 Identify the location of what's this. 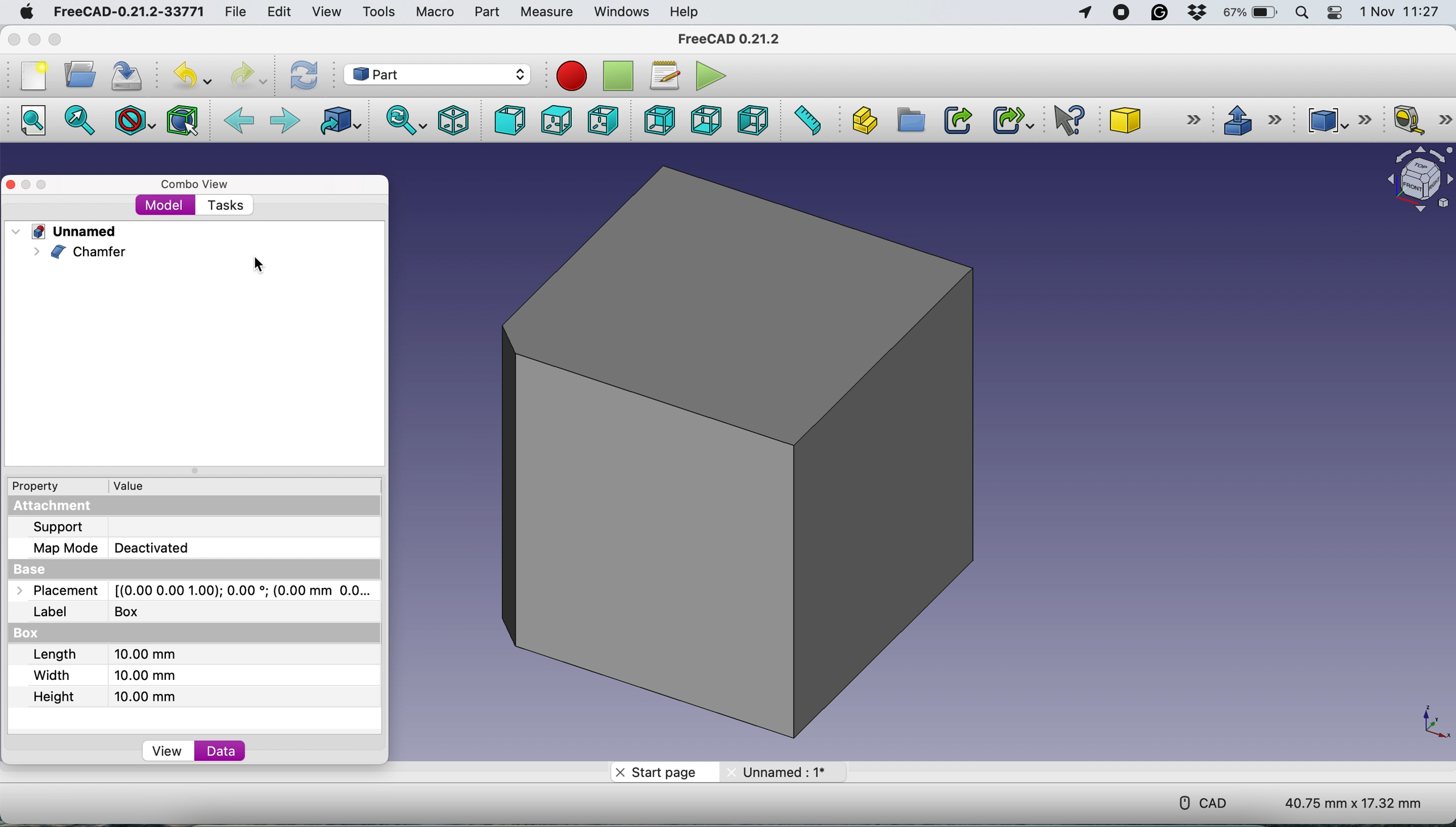
(1065, 120).